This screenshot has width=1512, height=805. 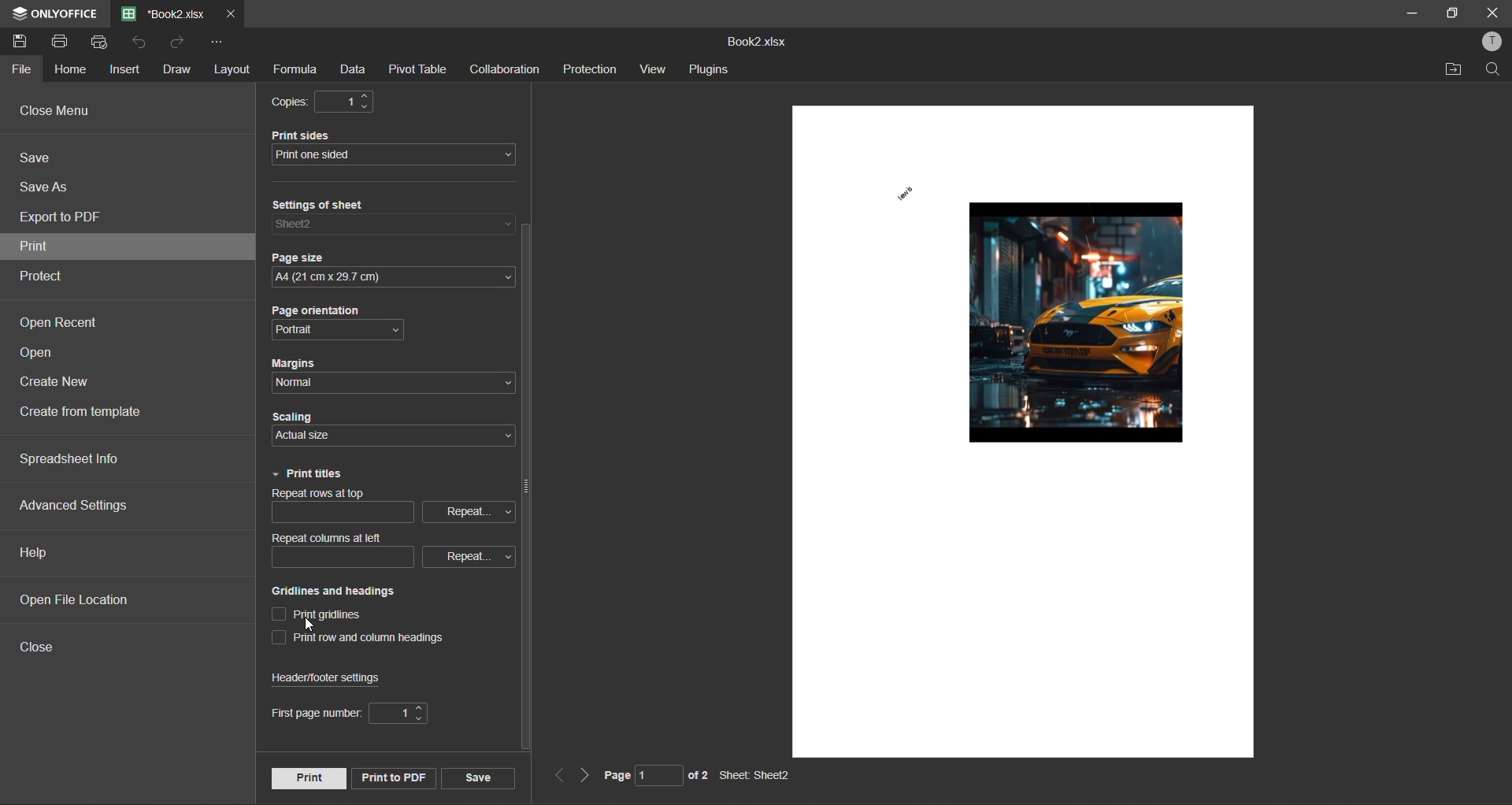 What do you see at coordinates (310, 384) in the screenshot?
I see `normal` at bounding box center [310, 384].